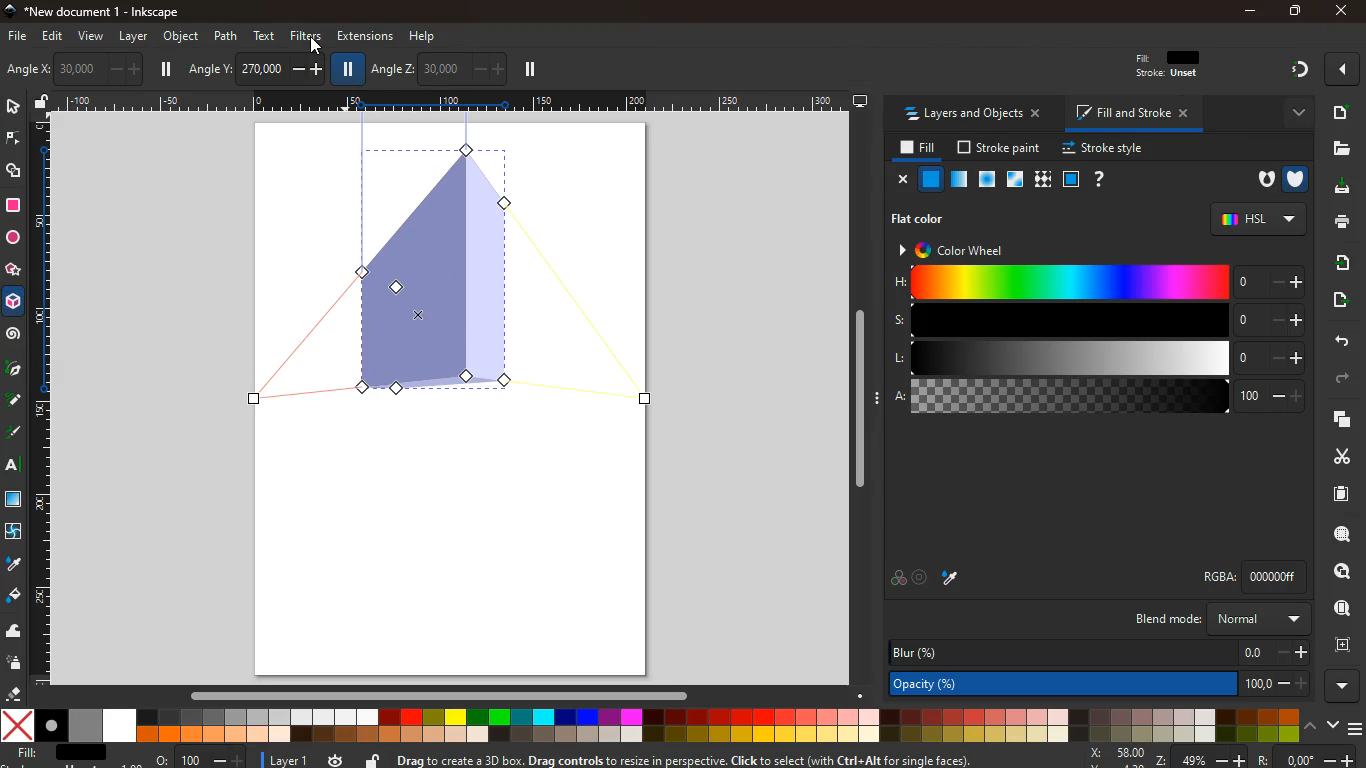 The image size is (1366, 768). Describe the element at coordinates (897, 580) in the screenshot. I see `color` at that location.